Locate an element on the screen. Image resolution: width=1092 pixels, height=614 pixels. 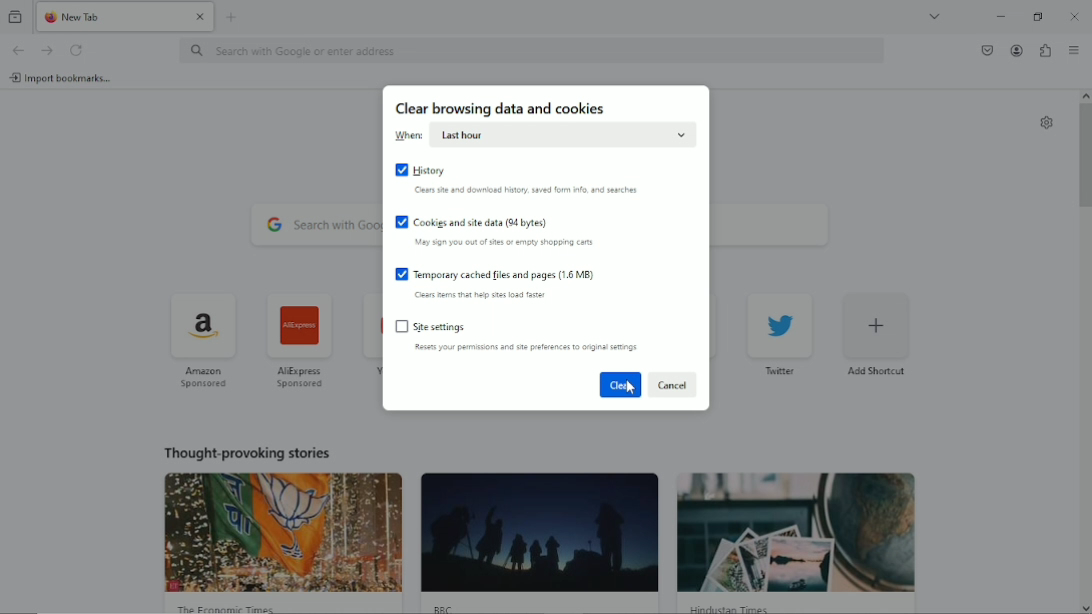
The Economic Times is located at coordinates (228, 607).